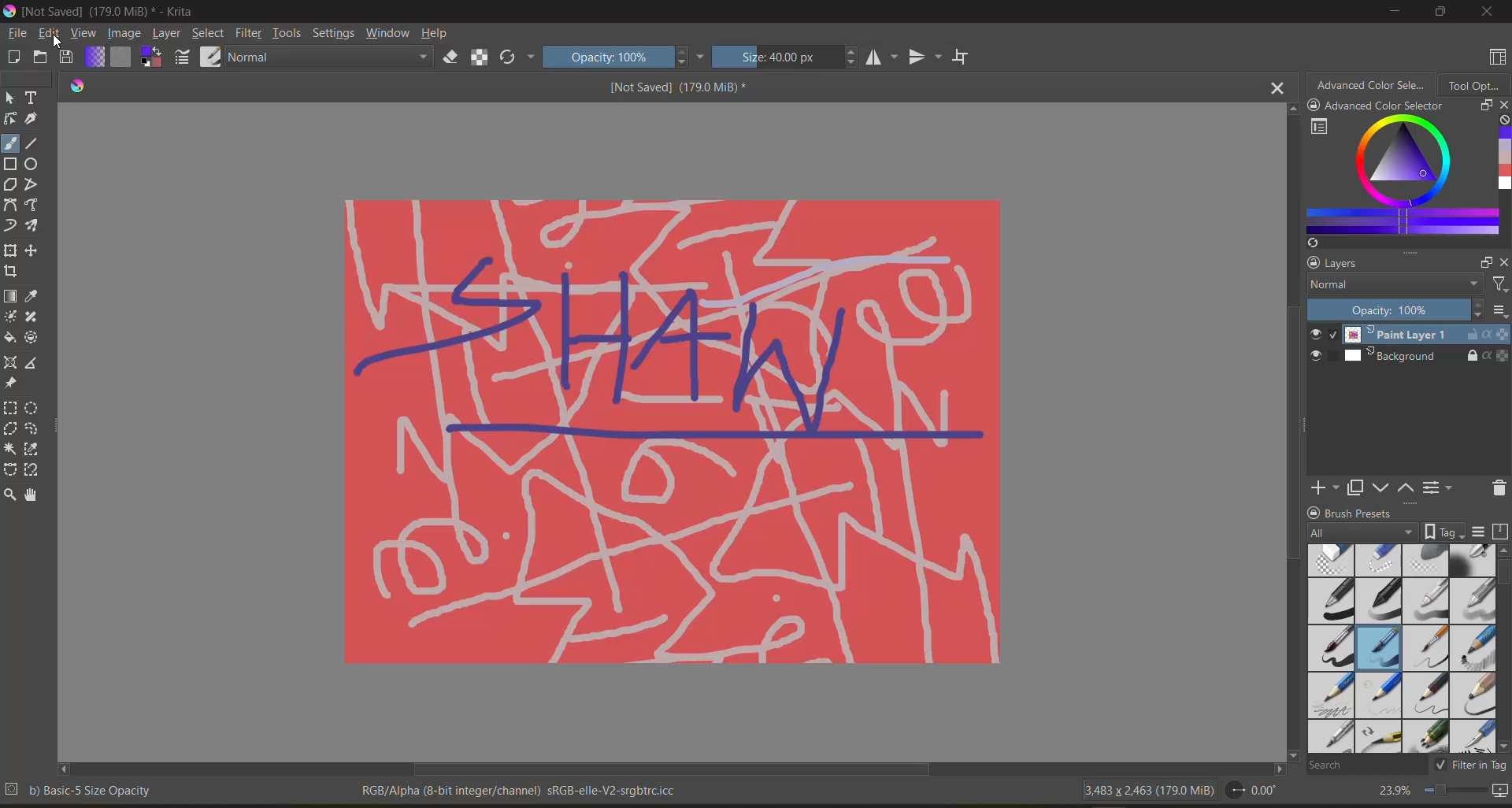 This screenshot has width=1512, height=808. What do you see at coordinates (11, 164) in the screenshot?
I see `rectangle tool` at bounding box center [11, 164].